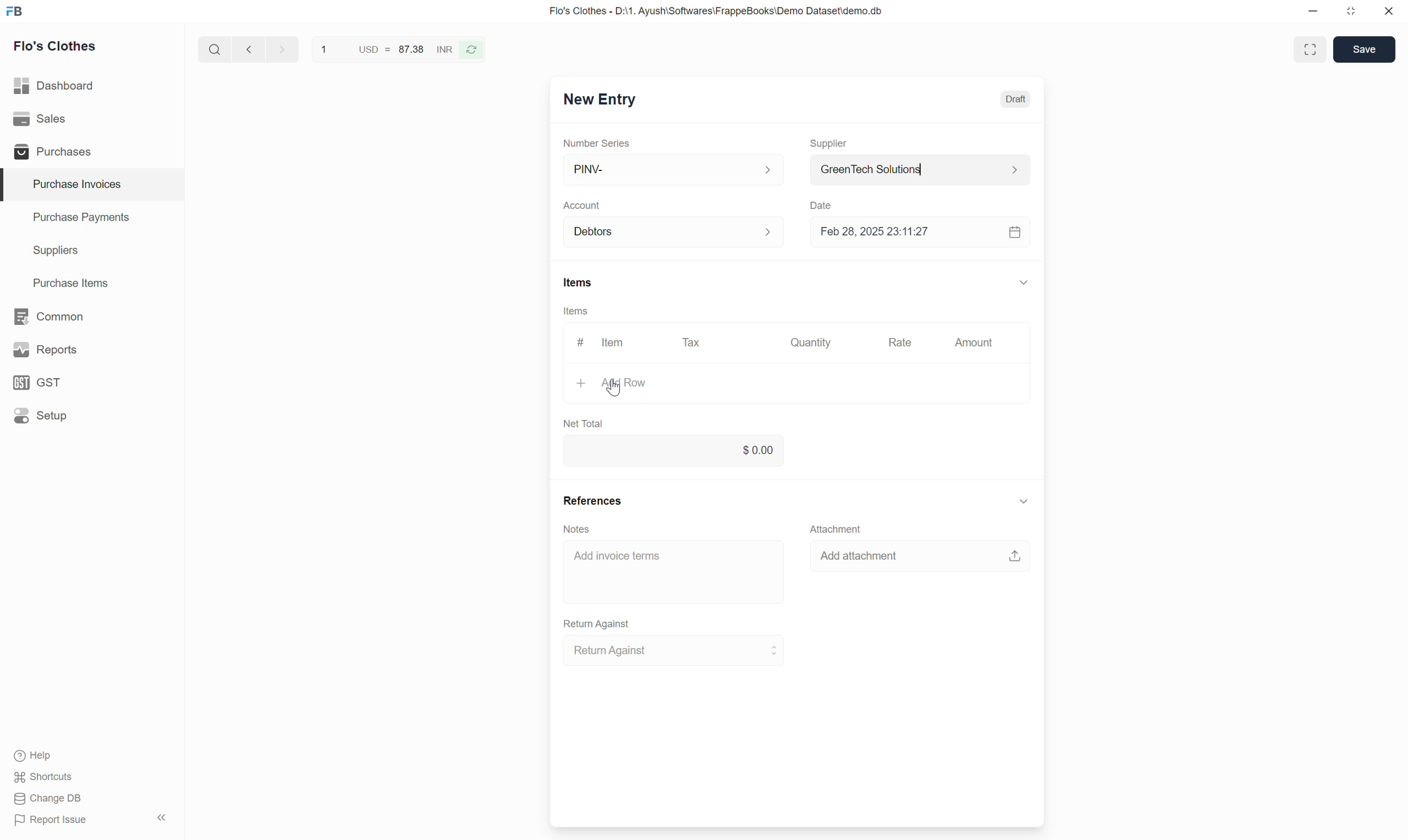 The width and height of the screenshot is (1408, 840). I want to click on Notes, so click(576, 529).